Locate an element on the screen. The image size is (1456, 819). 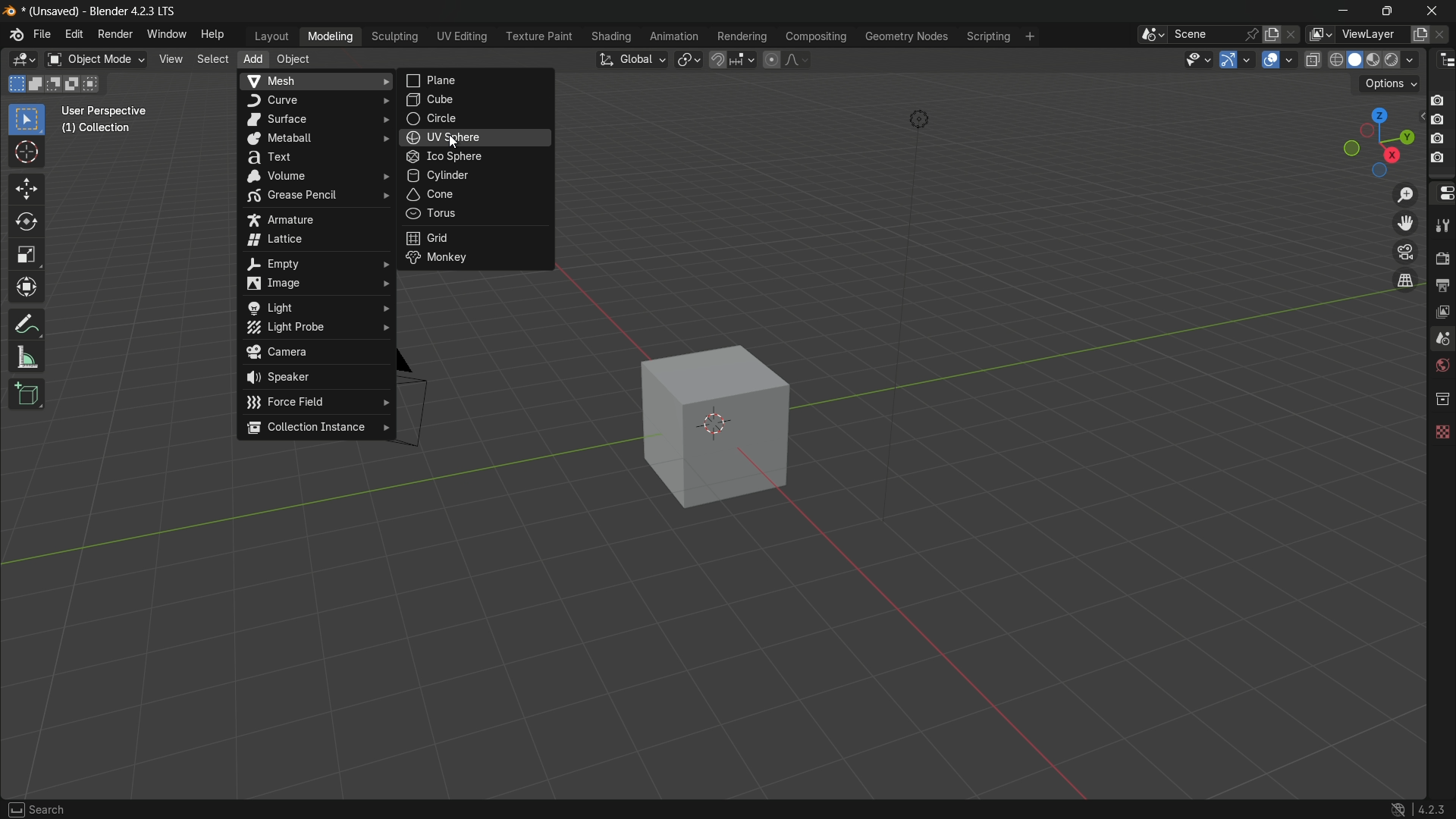
toggle the camera view is located at coordinates (1405, 252).